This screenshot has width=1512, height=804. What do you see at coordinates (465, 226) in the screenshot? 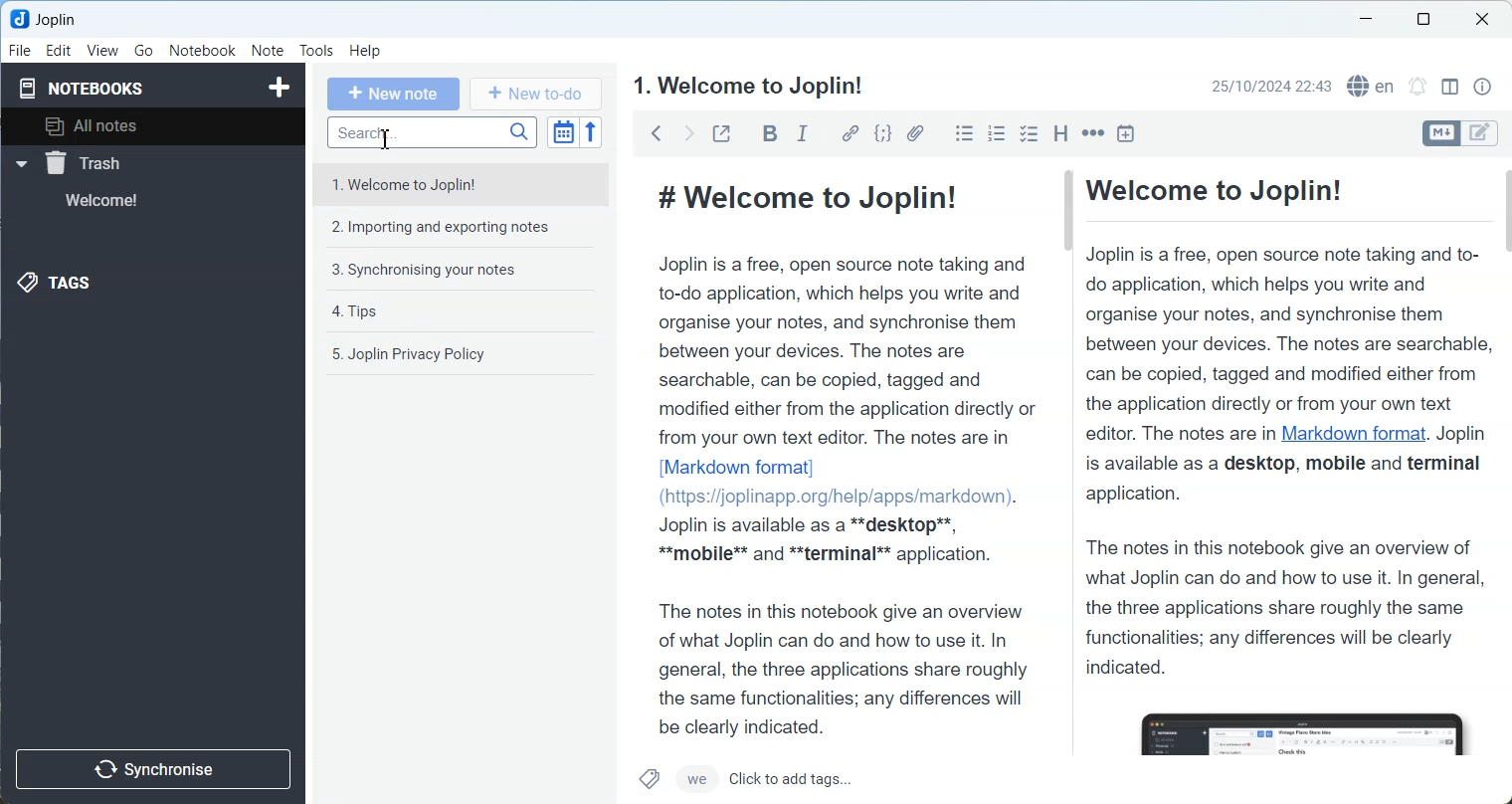
I see `importing and exporting Notes` at bounding box center [465, 226].